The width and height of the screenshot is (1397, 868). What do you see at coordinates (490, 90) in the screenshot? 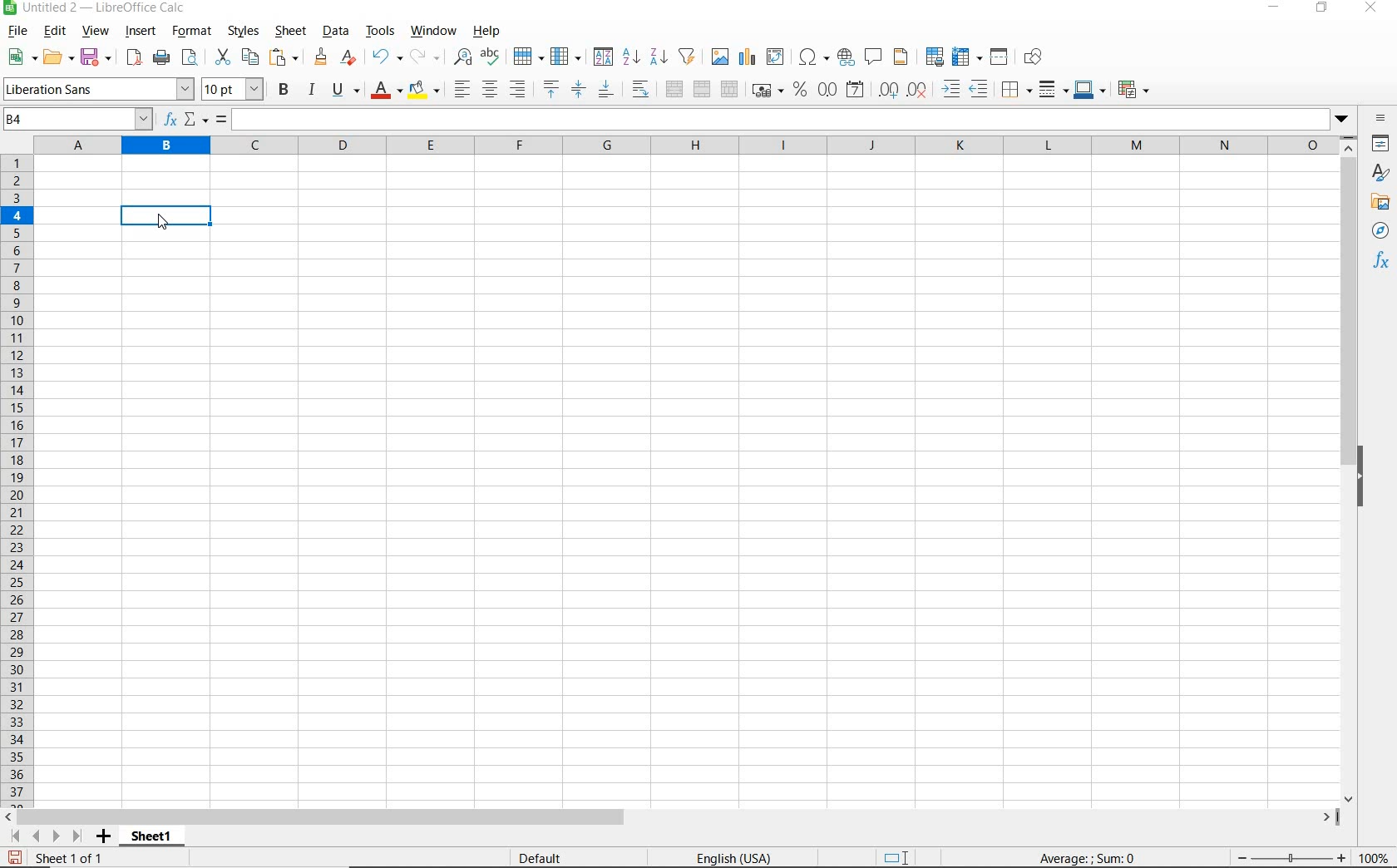
I see `align center` at bounding box center [490, 90].